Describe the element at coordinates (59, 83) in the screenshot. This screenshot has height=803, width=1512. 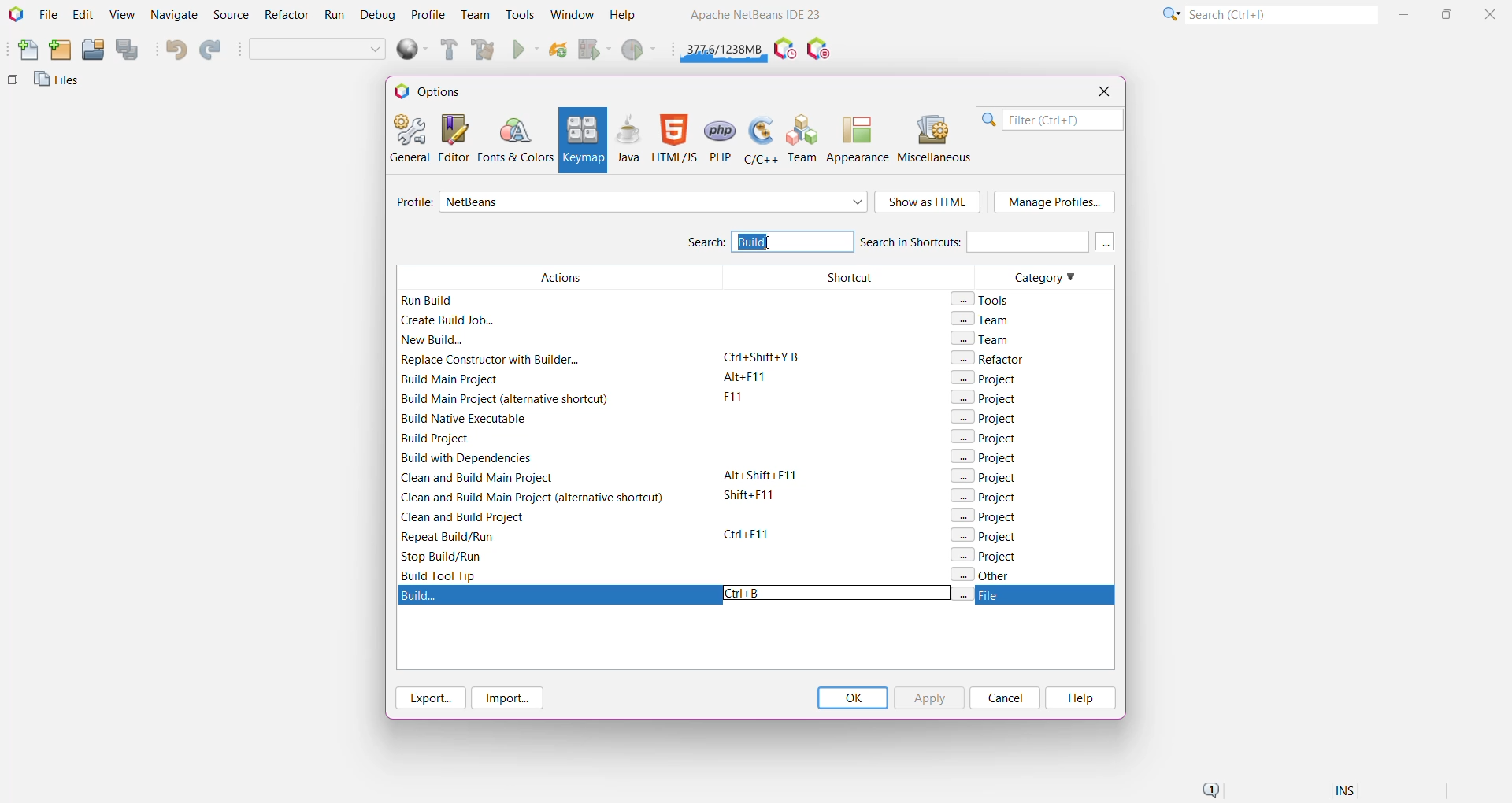
I see `Files` at that location.